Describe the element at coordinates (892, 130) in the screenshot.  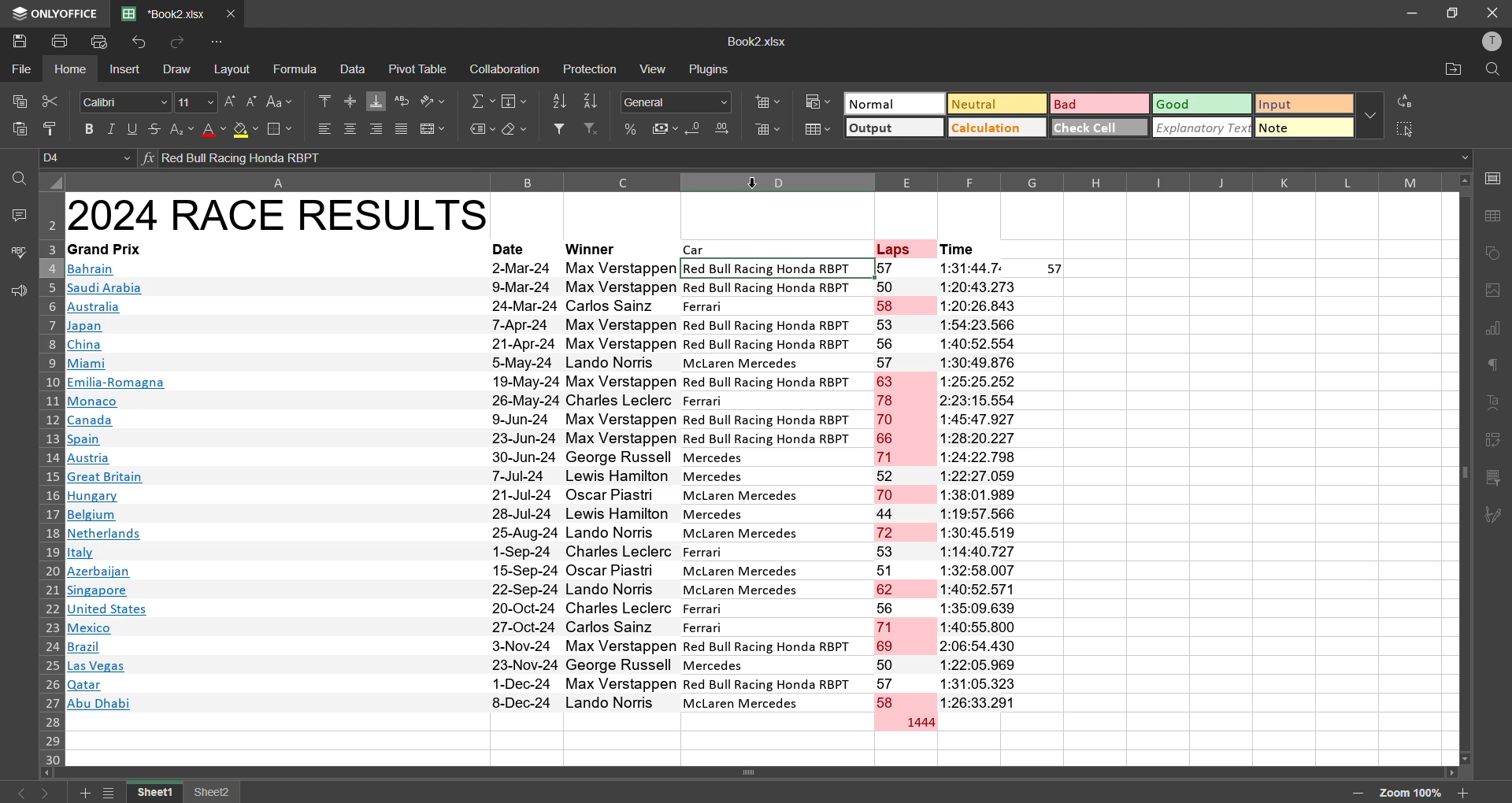
I see `output` at that location.